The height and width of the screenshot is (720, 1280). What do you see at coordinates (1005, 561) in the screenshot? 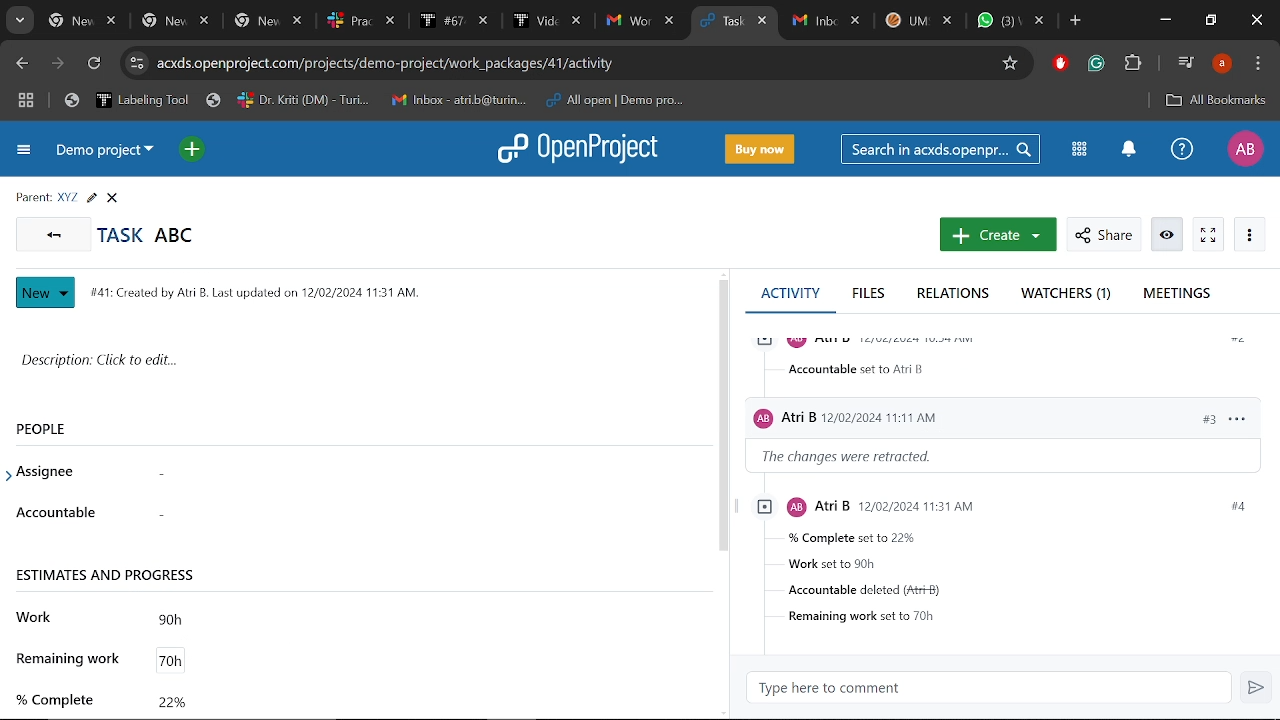
I see `Task infromstions` at bounding box center [1005, 561].